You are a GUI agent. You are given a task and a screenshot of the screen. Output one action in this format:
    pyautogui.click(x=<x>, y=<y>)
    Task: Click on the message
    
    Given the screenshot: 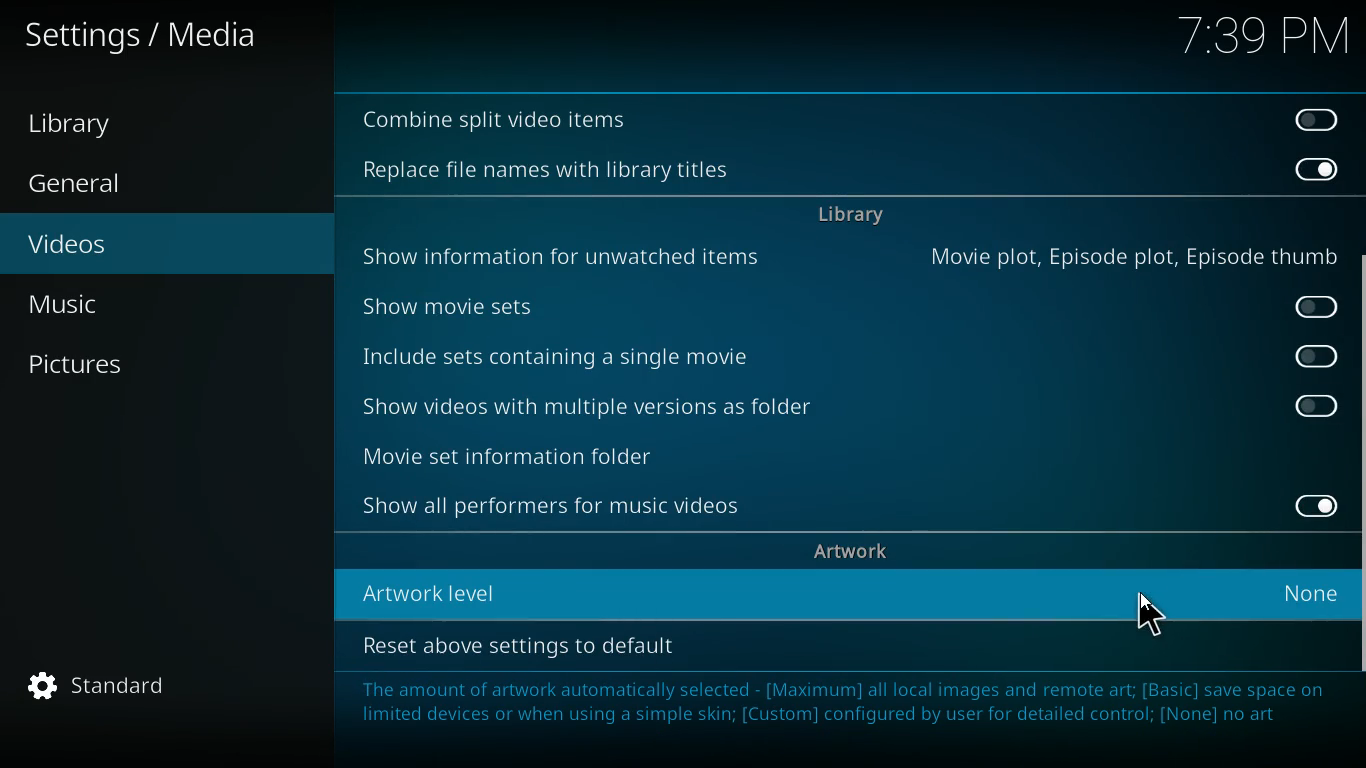 What is the action you would take?
    pyautogui.click(x=840, y=716)
    